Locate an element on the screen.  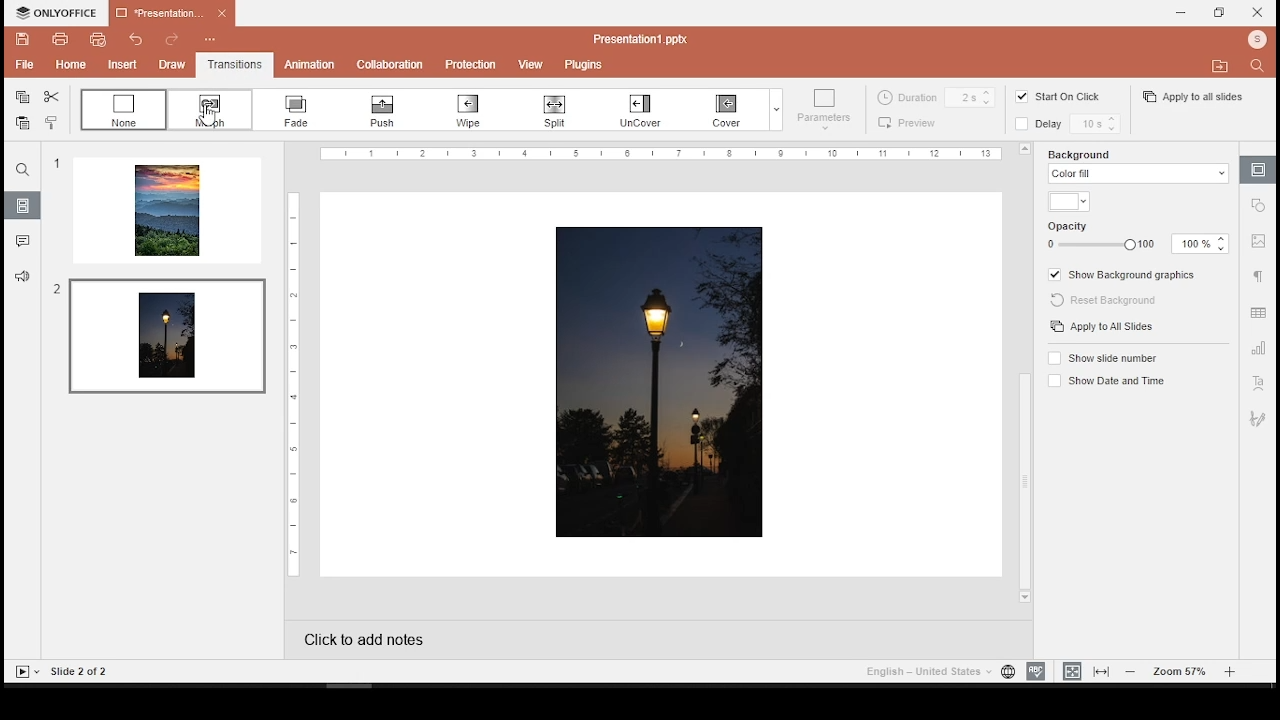
subscript is located at coordinates (125, 111).